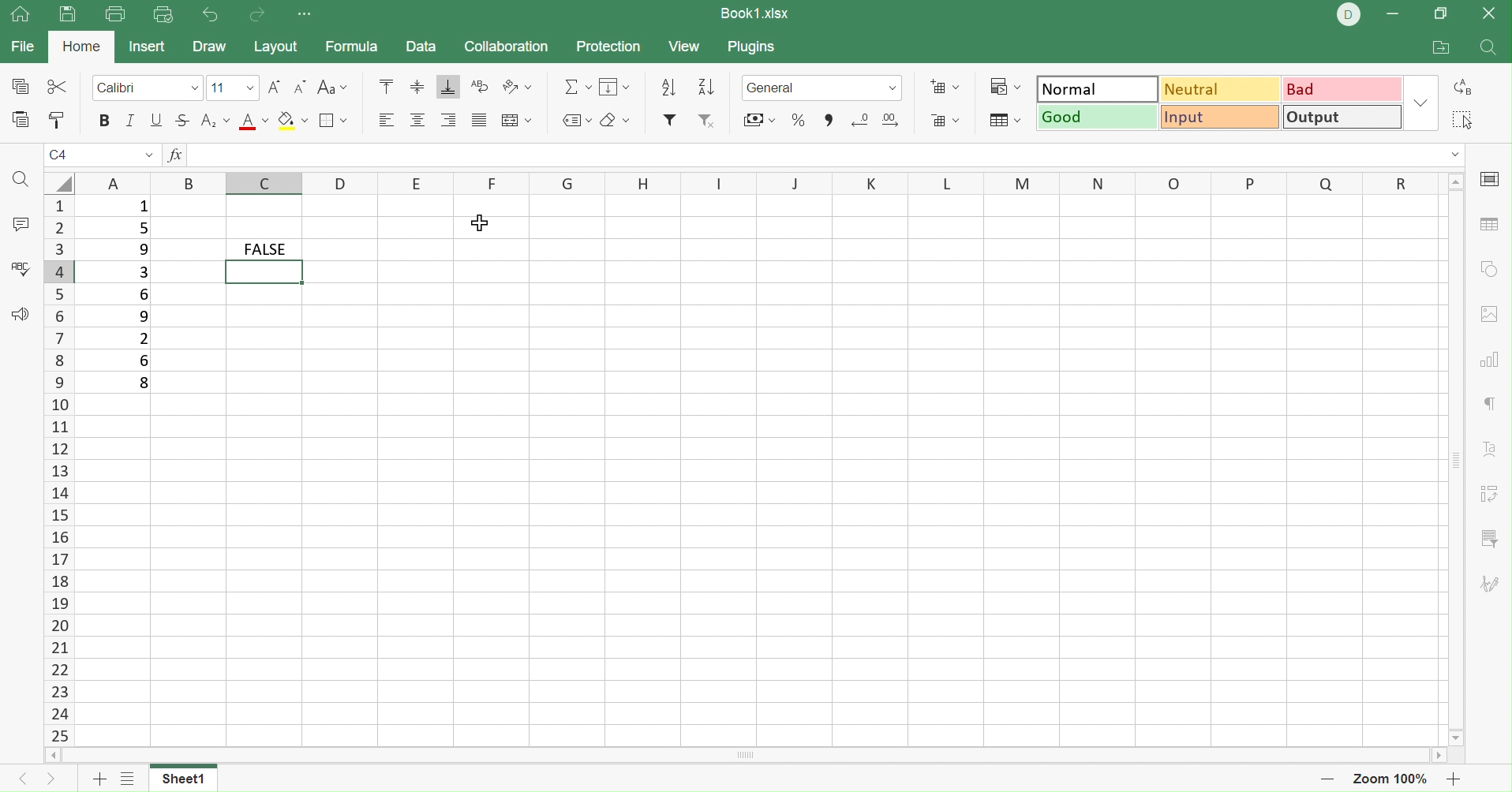 The width and height of the screenshot is (1512, 792). Describe the element at coordinates (1458, 738) in the screenshot. I see `Scroll down` at that location.